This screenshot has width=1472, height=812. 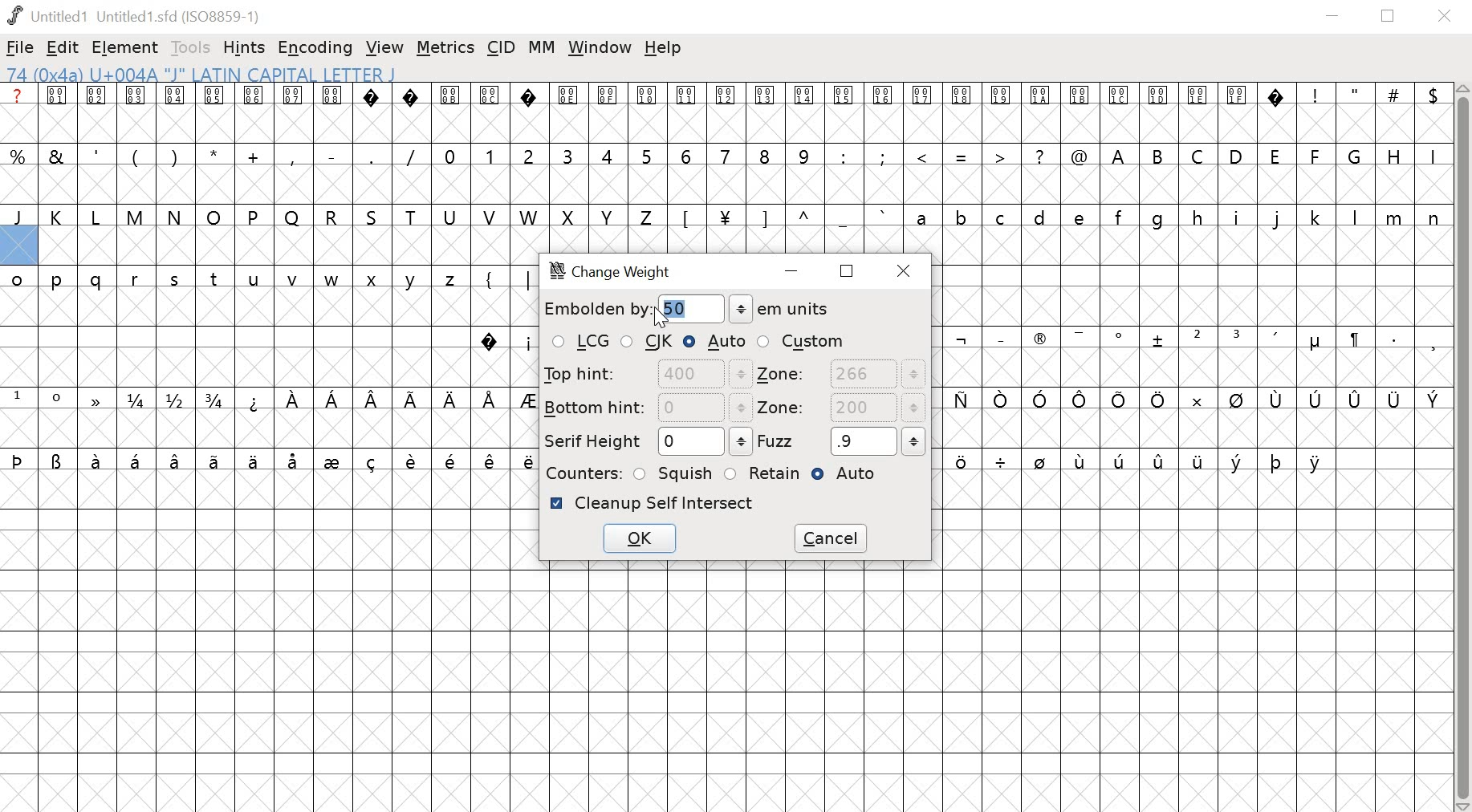 I want to click on ZONE, so click(x=840, y=409).